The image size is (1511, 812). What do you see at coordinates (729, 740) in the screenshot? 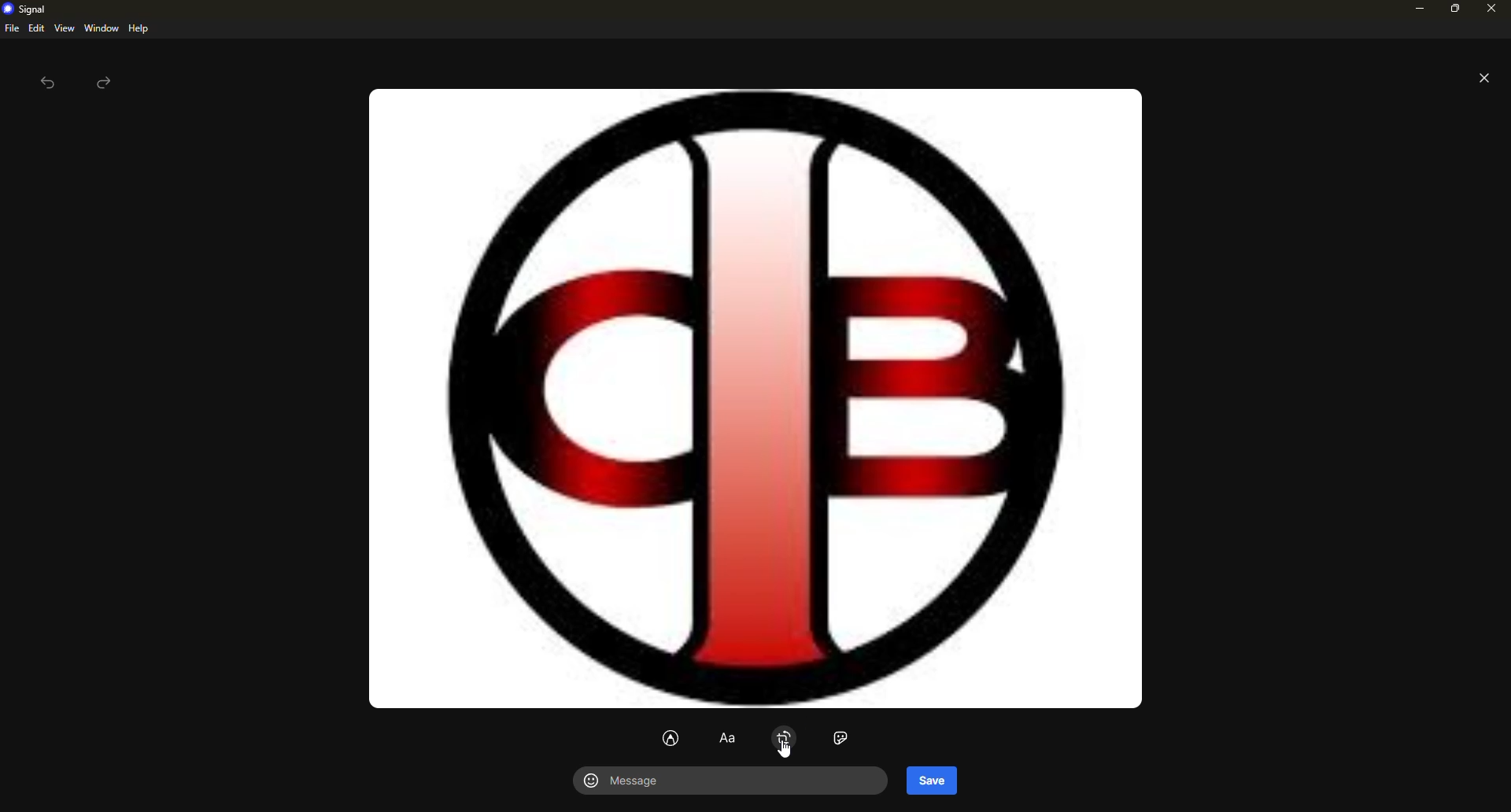
I see `text` at bounding box center [729, 740].